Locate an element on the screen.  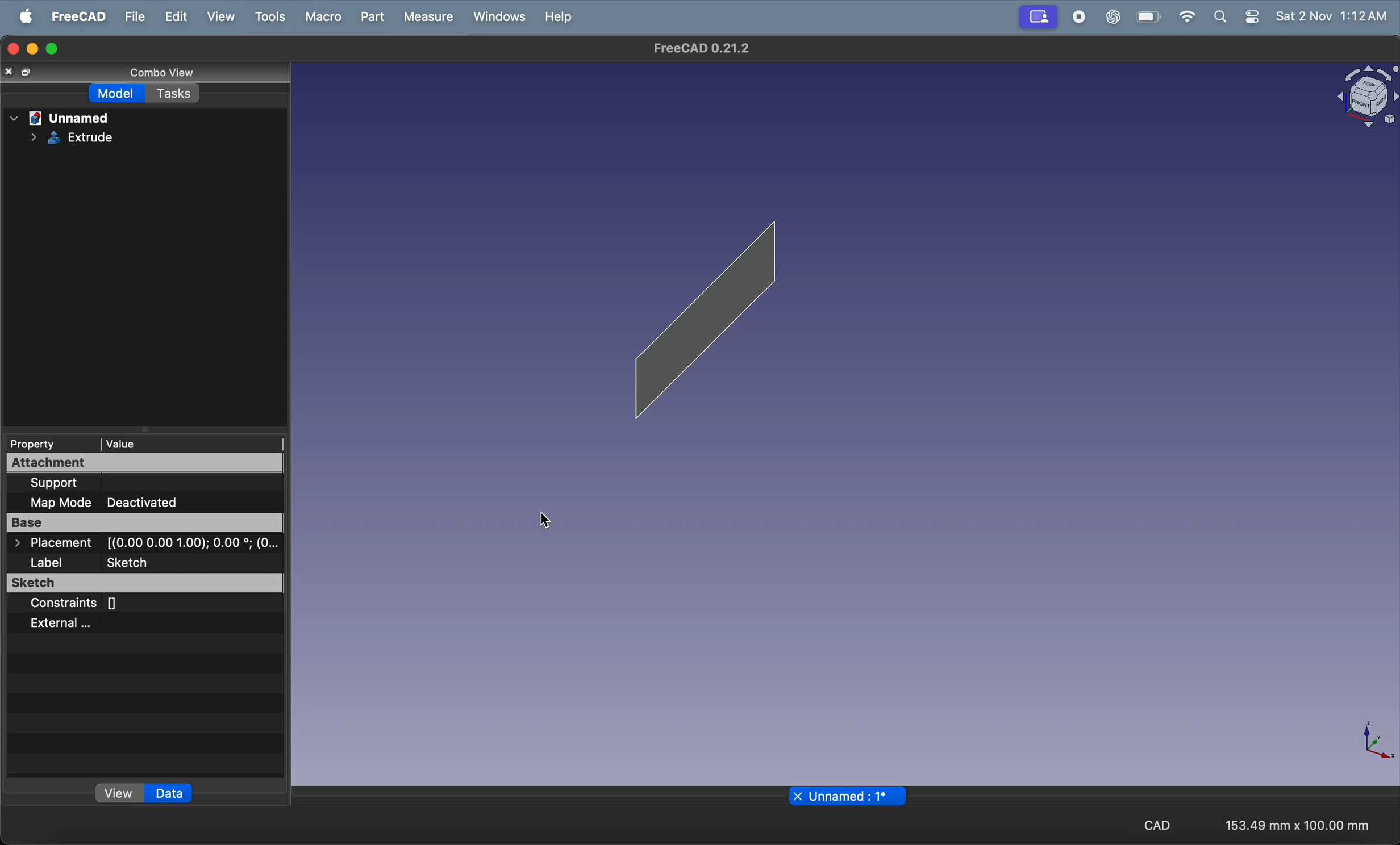
attachment is located at coordinates (145, 463).